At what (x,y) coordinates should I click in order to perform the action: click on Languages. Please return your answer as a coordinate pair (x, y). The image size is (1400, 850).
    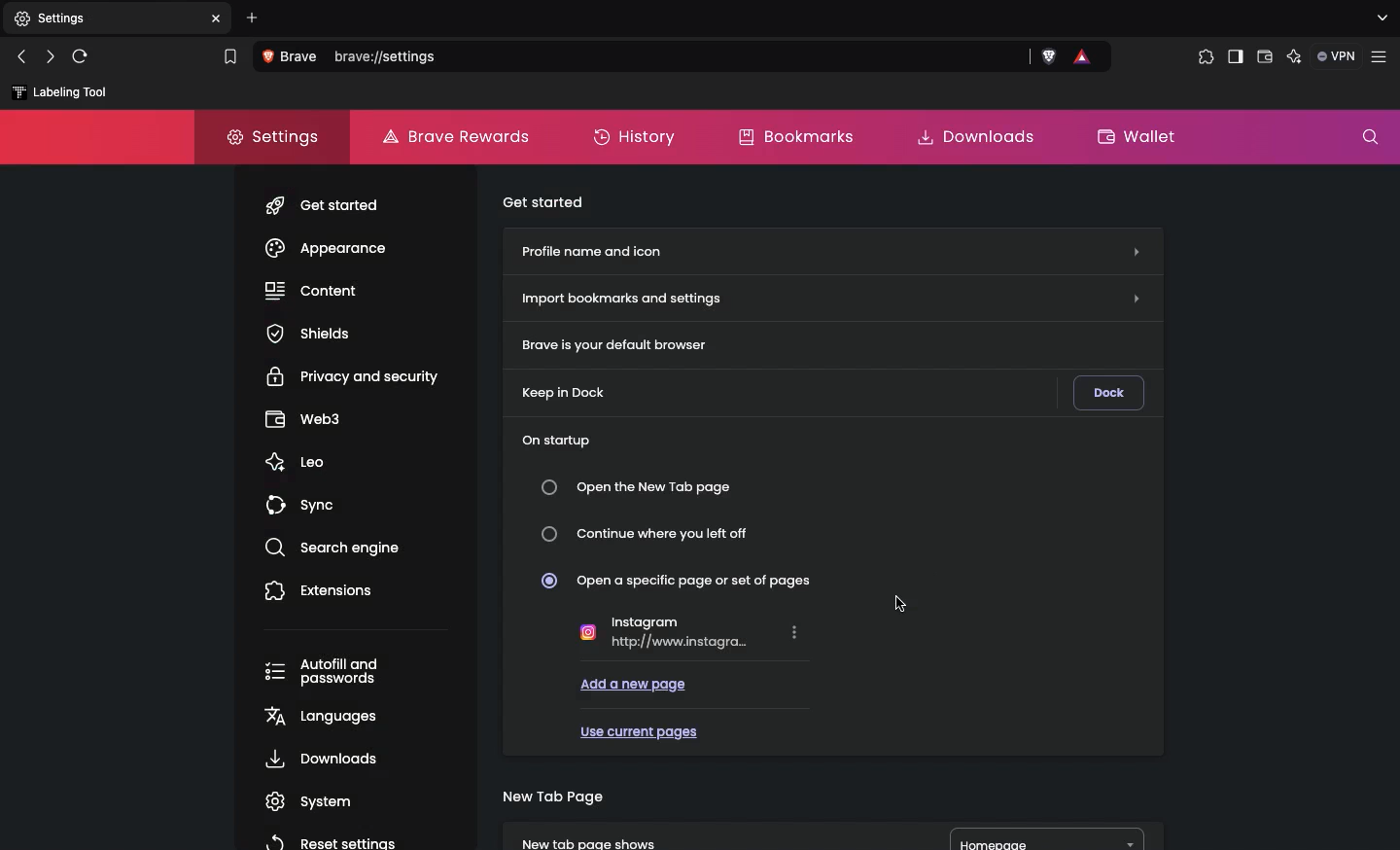
    Looking at the image, I should click on (318, 715).